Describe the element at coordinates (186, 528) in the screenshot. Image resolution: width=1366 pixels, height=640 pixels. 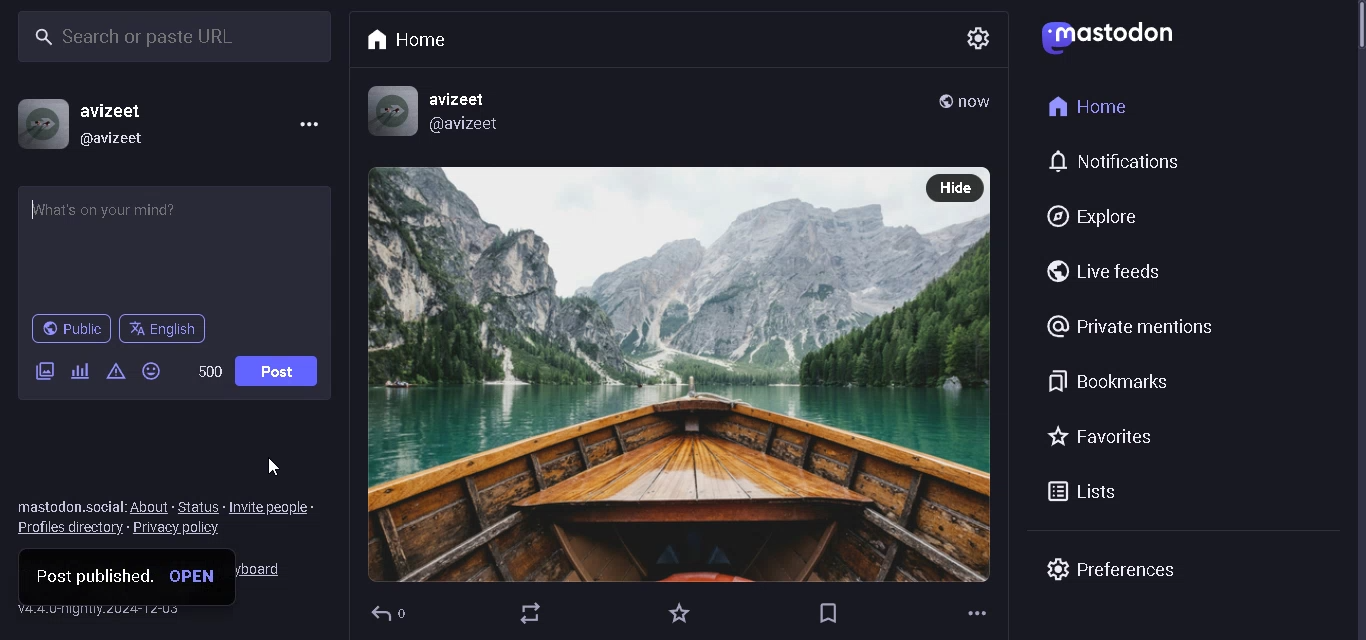
I see `privacy policy` at that location.